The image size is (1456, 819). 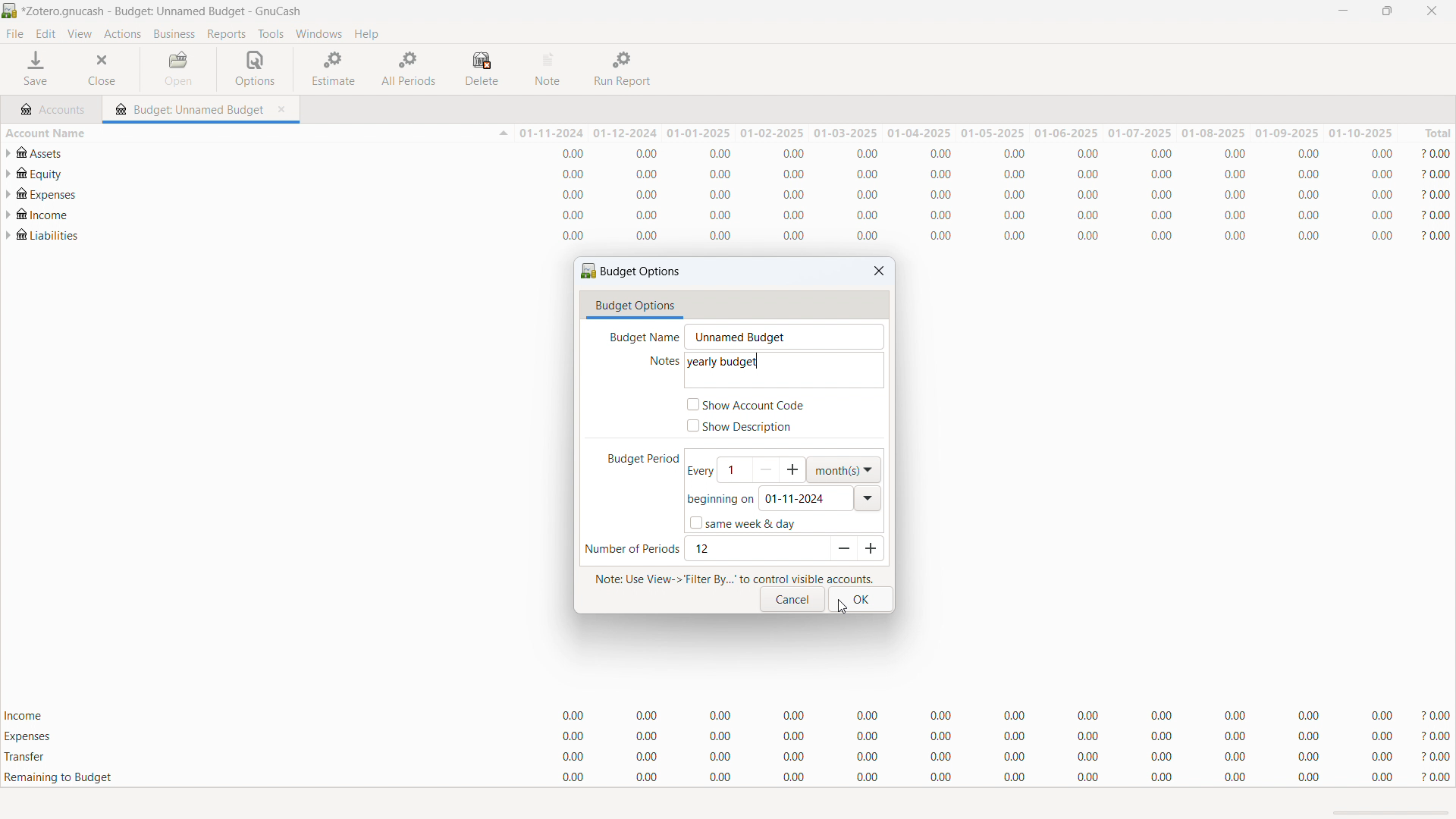 What do you see at coordinates (256, 132) in the screenshot?
I see `sort by account name` at bounding box center [256, 132].